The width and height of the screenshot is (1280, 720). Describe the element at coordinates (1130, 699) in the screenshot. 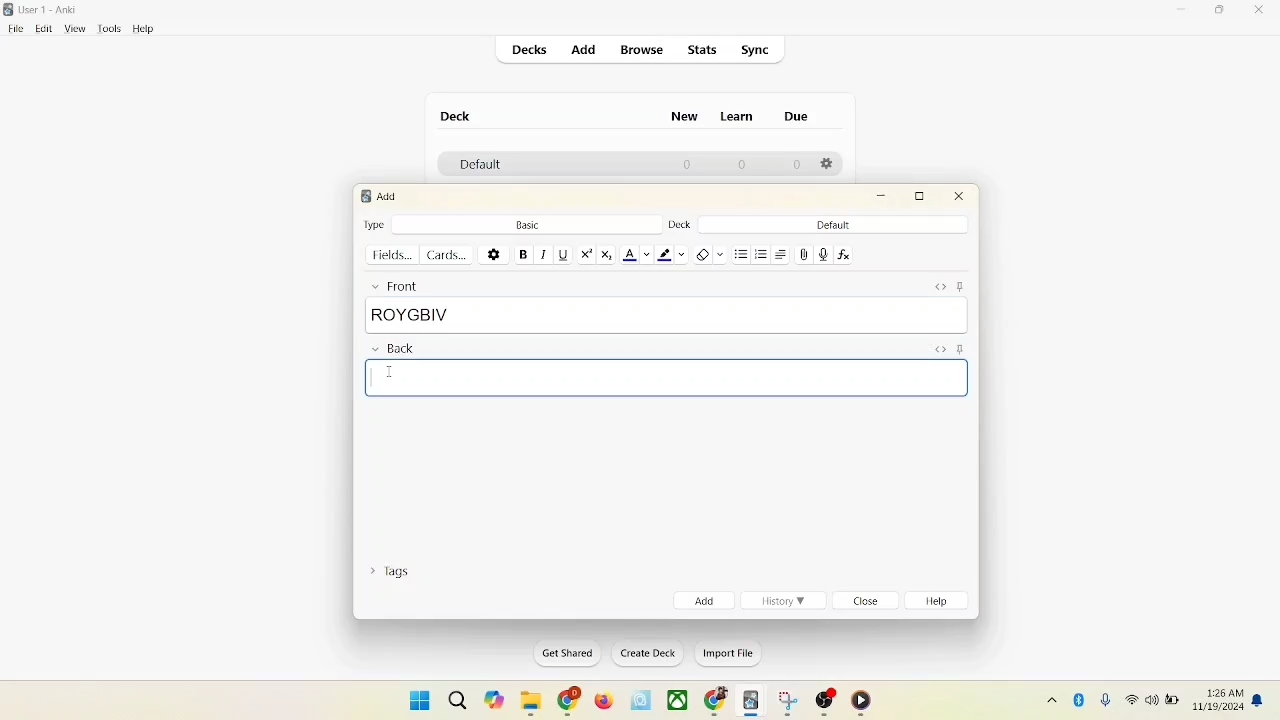

I see `wifi` at that location.